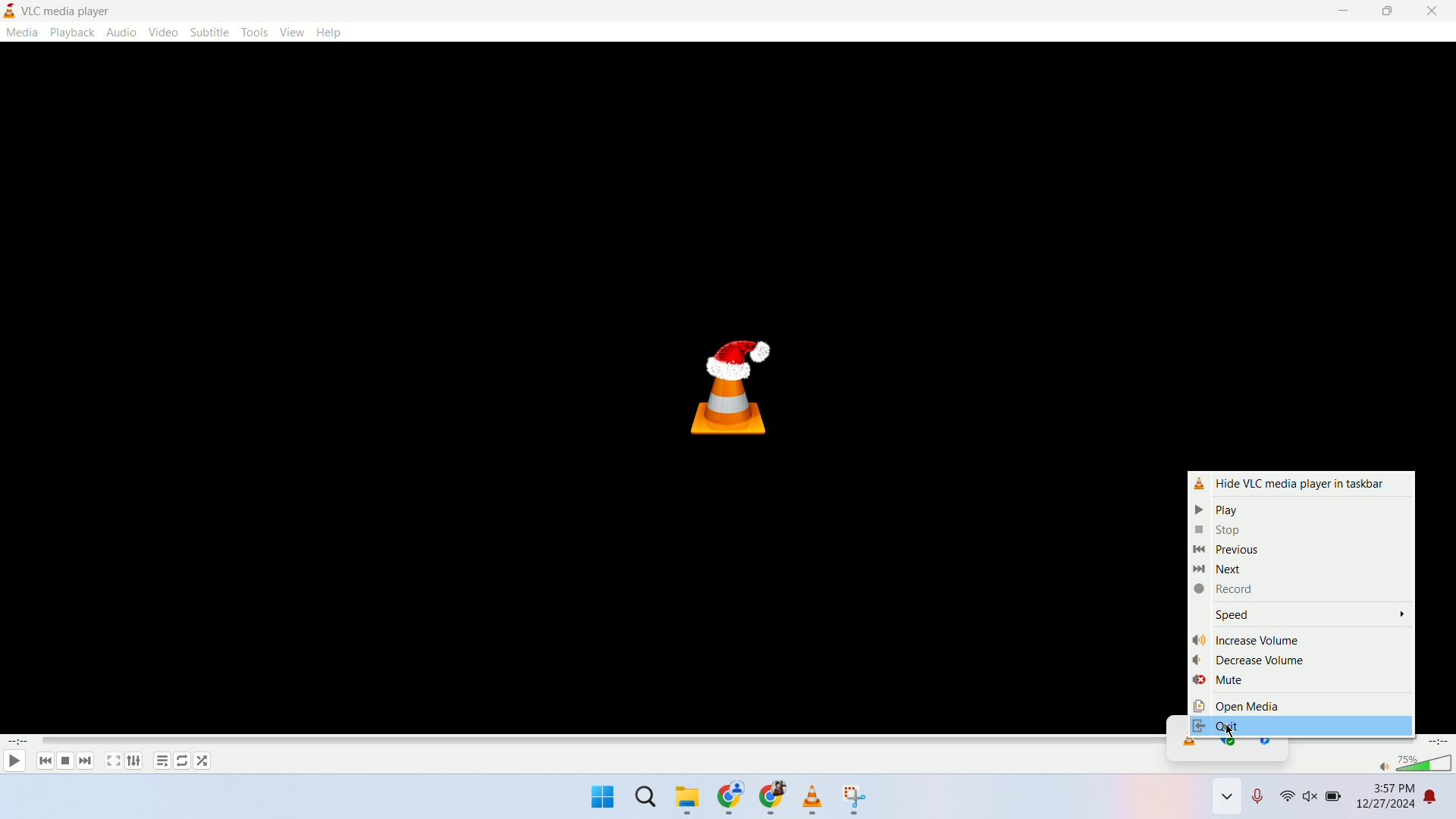 The image size is (1456, 819). What do you see at coordinates (1344, 11) in the screenshot?
I see `minimize` at bounding box center [1344, 11].